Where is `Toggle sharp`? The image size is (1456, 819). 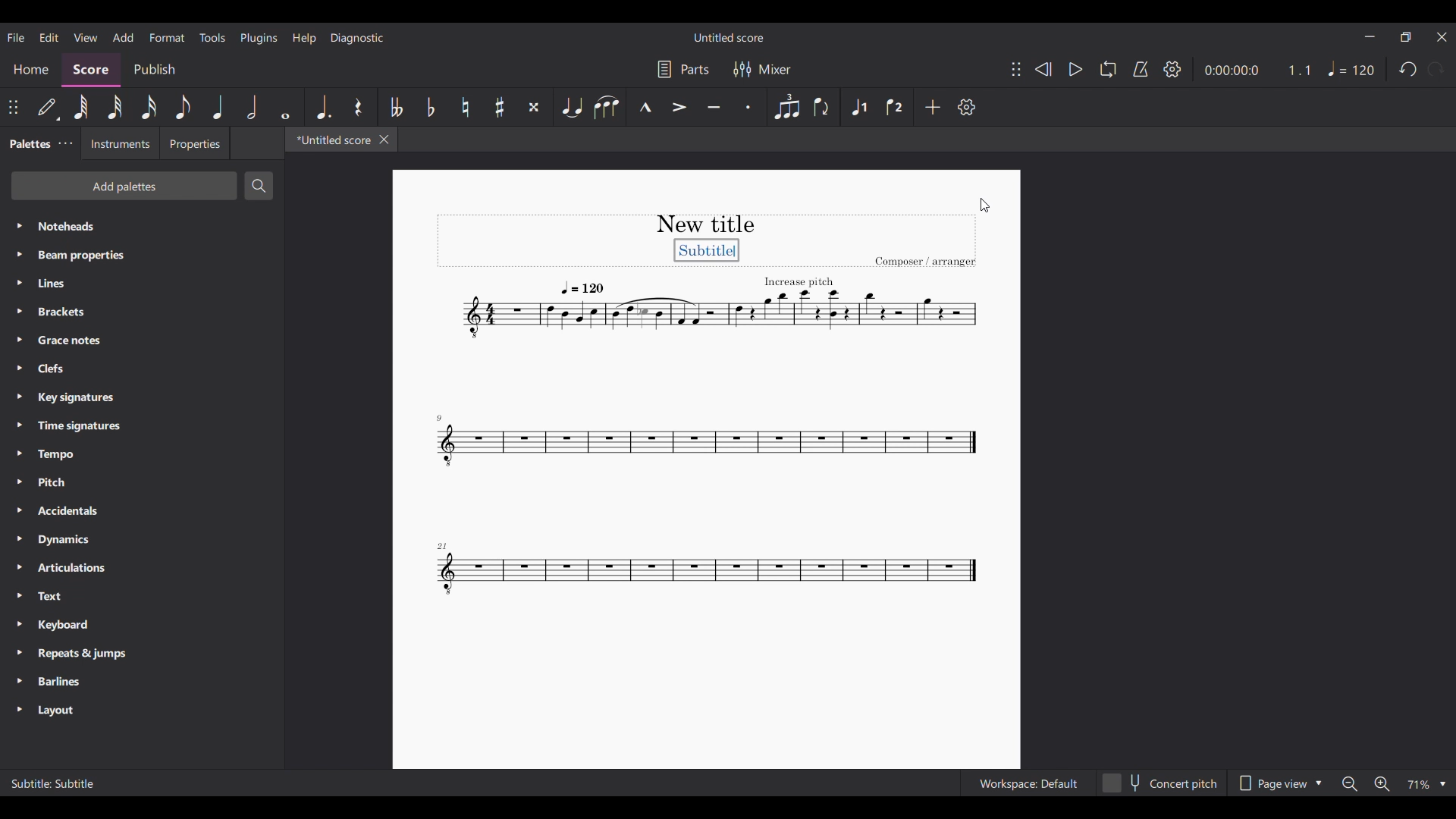 Toggle sharp is located at coordinates (500, 108).